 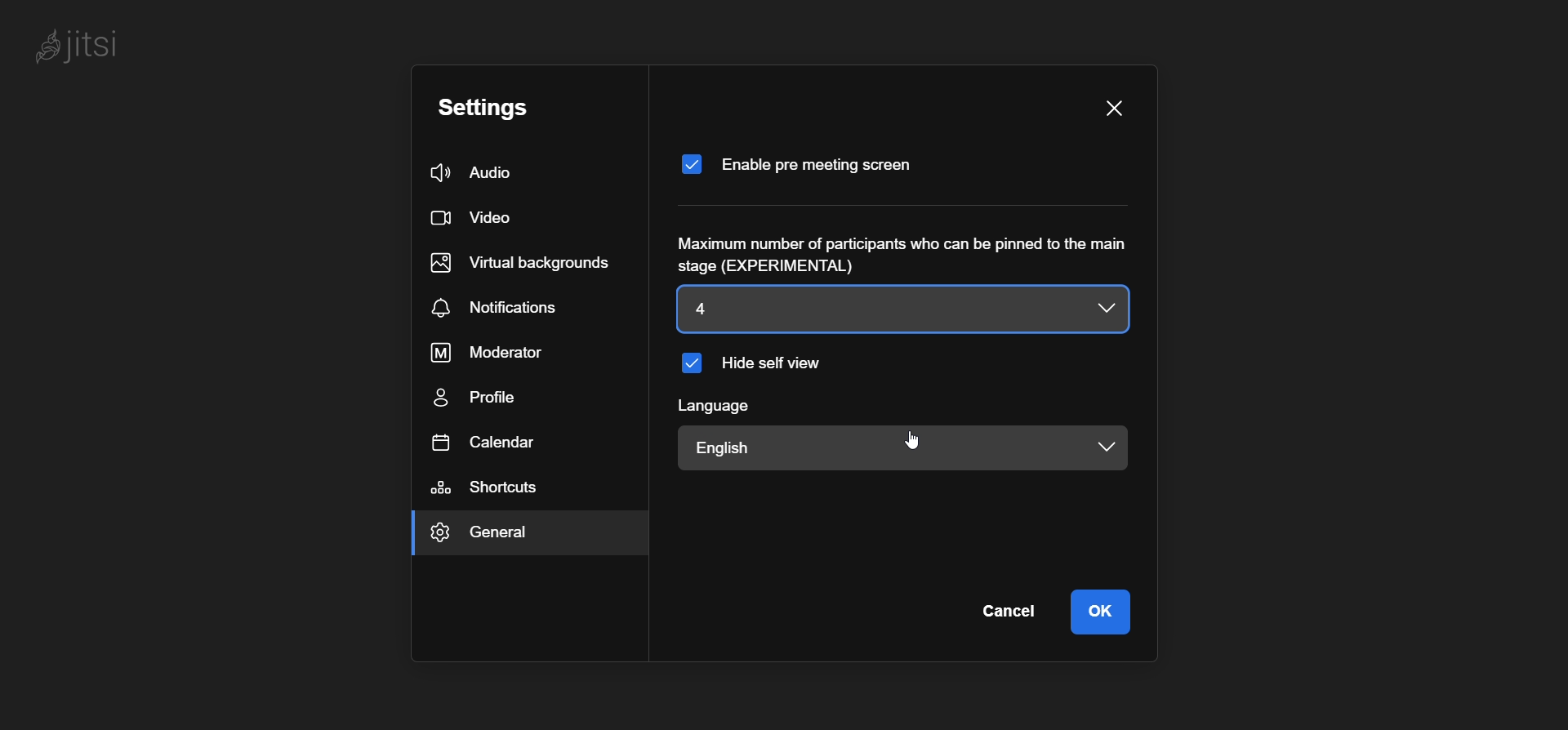 What do you see at coordinates (501, 536) in the screenshot?
I see `general` at bounding box center [501, 536].